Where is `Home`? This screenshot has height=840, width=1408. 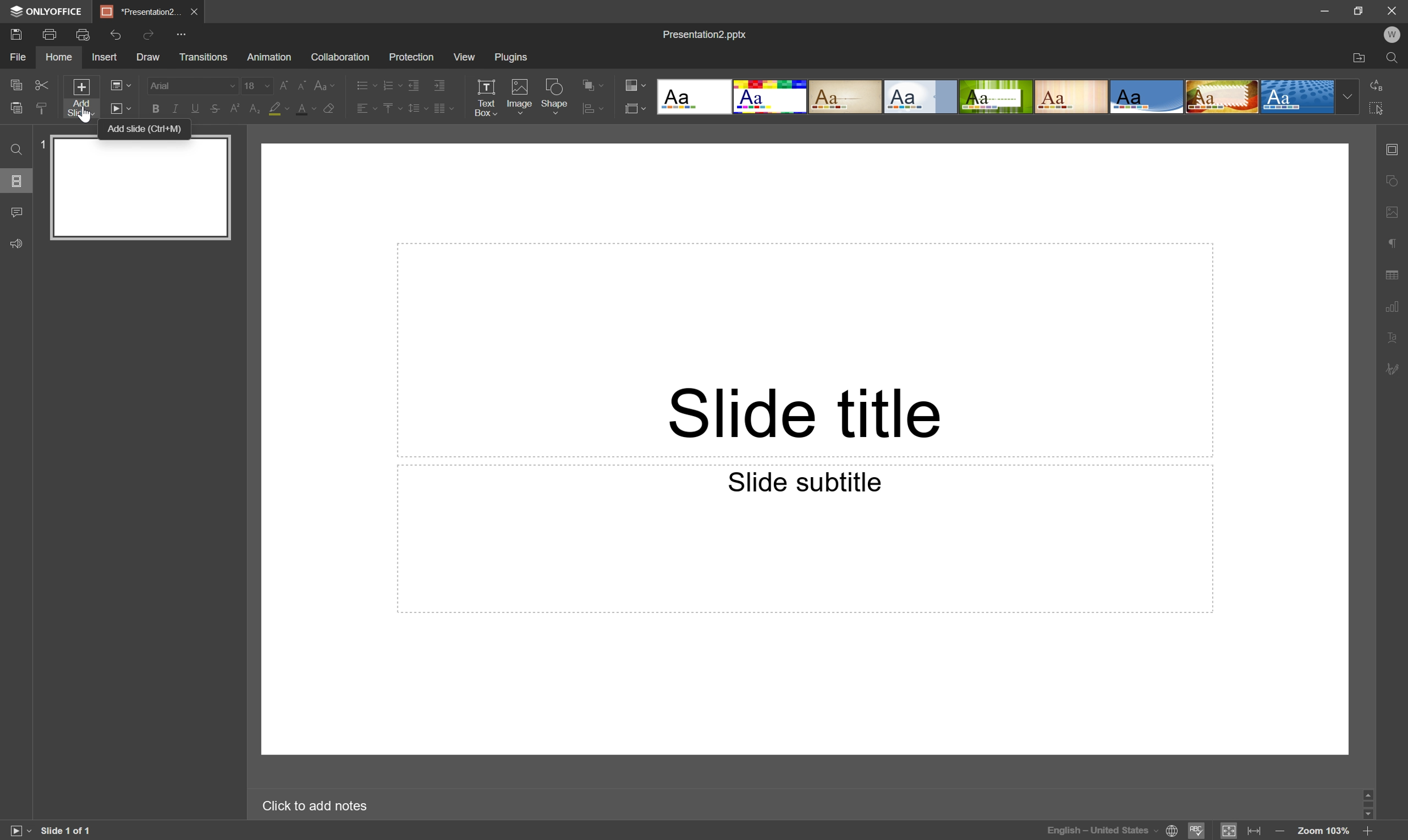
Home is located at coordinates (61, 58).